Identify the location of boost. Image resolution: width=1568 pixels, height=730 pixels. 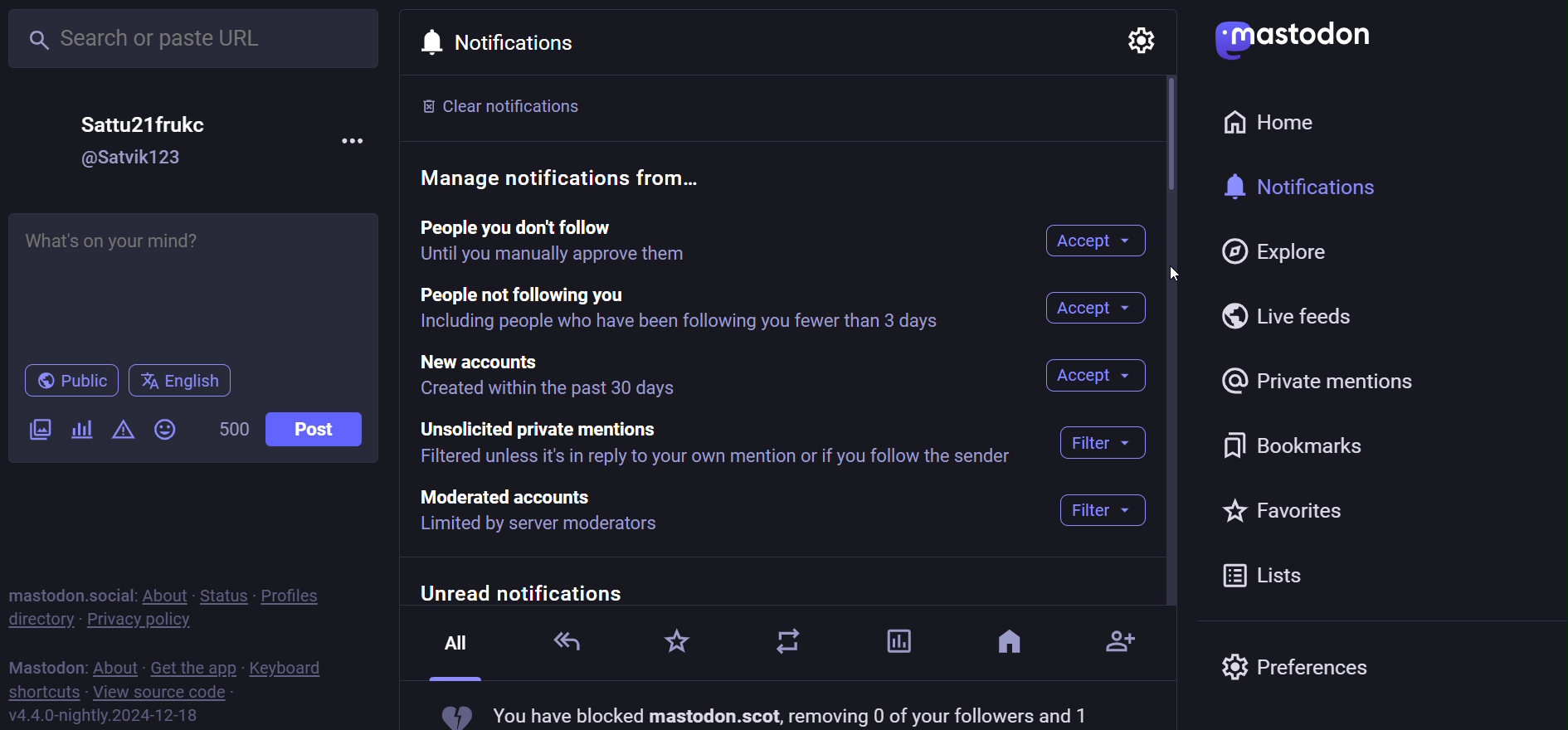
(793, 646).